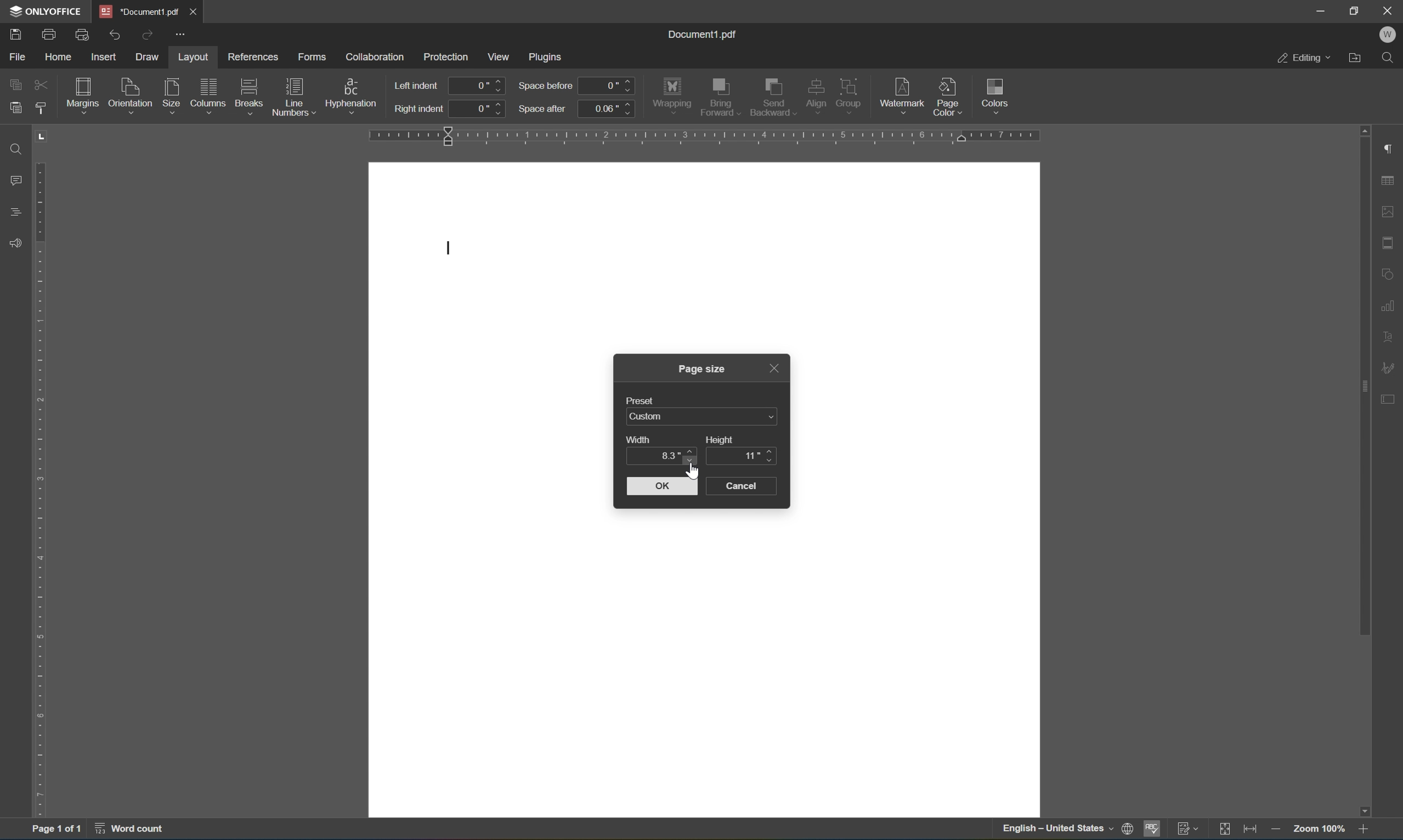 The image size is (1403, 840). Describe the element at coordinates (765, 456) in the screenshot. I see `11` at that location.